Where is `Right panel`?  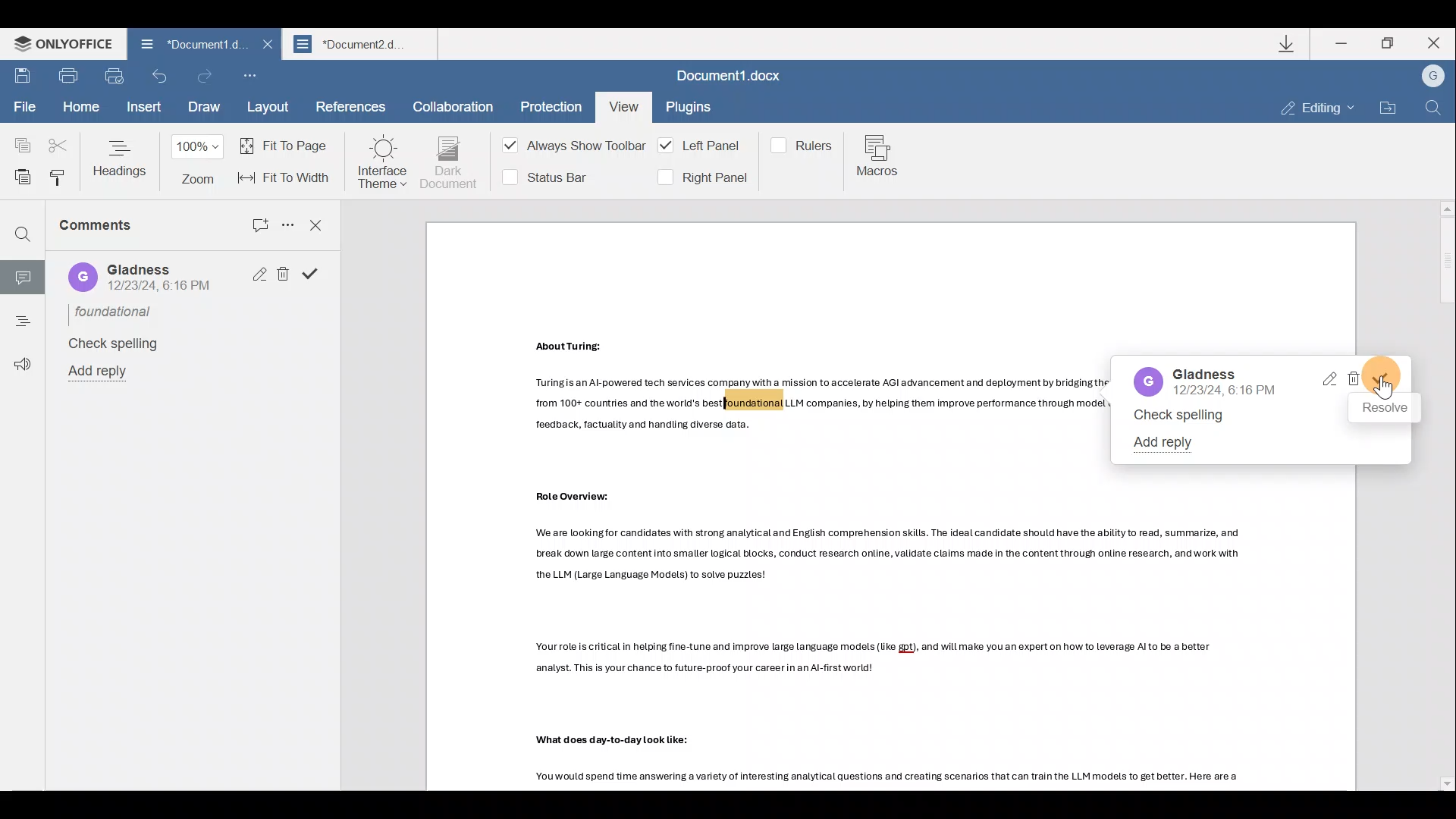
Right panel is located at coordinates (701, 177).